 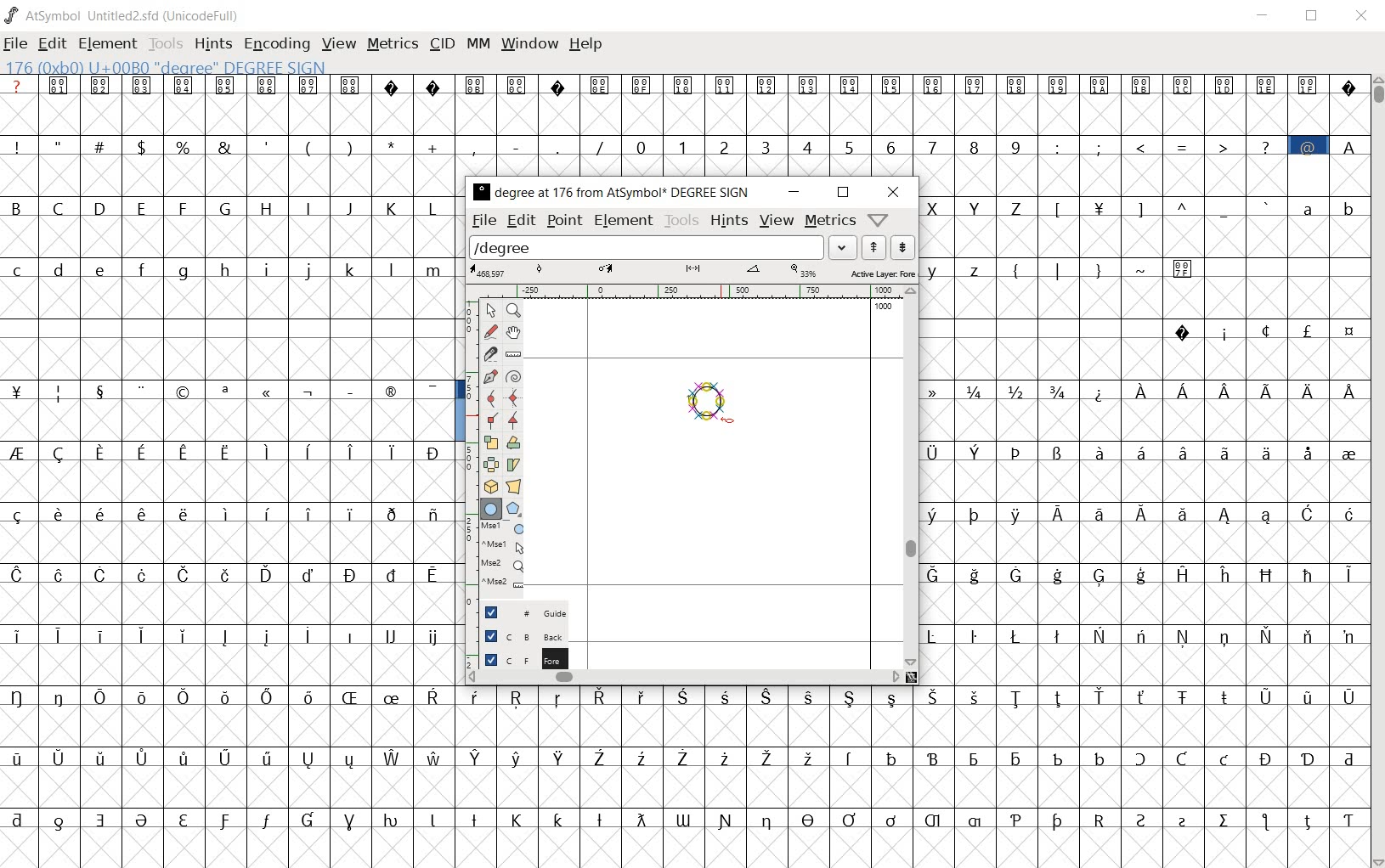 What do you see at coordinates (230, 206) in the screenshot?
I see `capital letters B - Z` at bounding box center [230, 206].